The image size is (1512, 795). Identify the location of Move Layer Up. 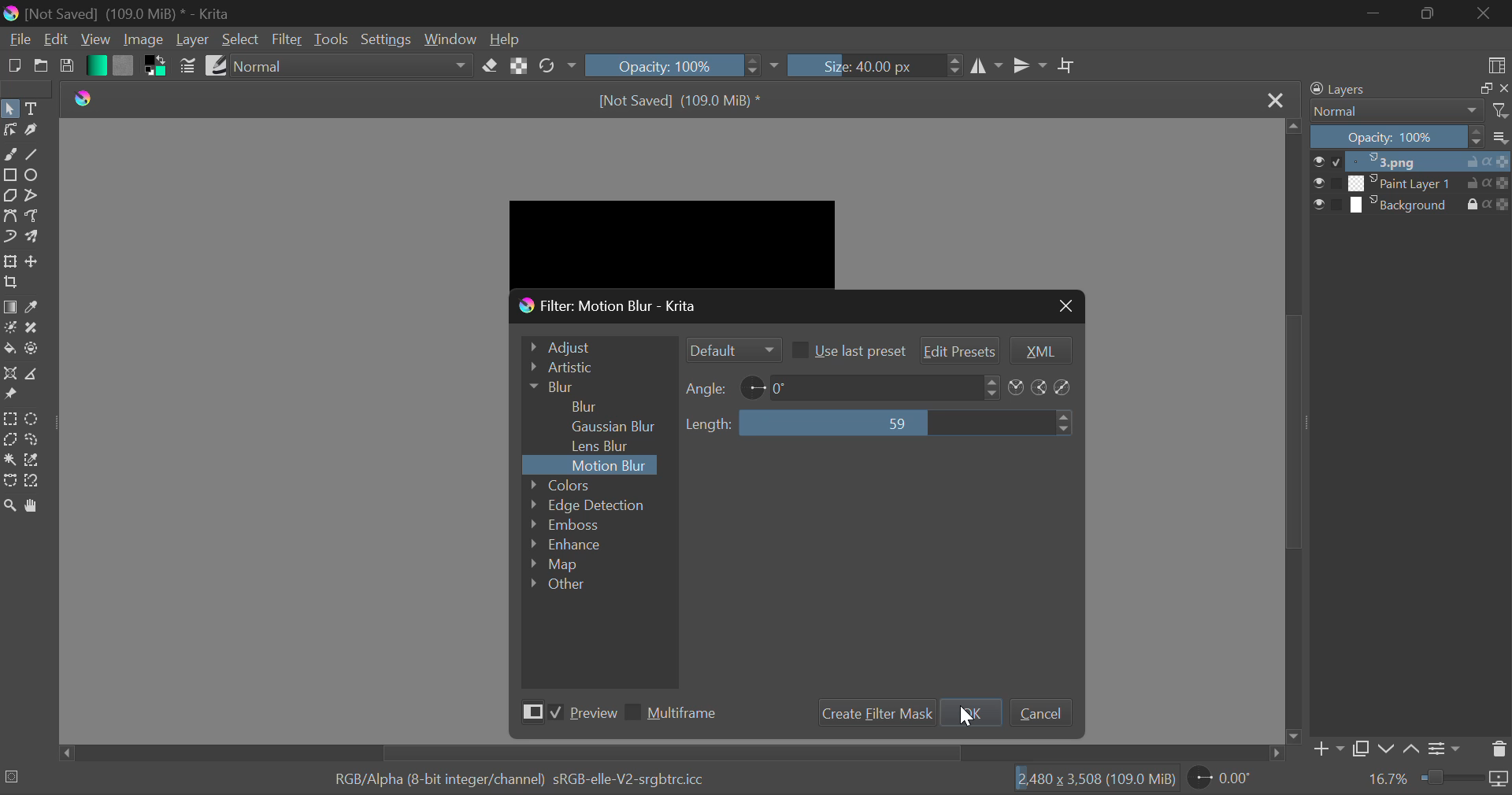
(1413, 746).